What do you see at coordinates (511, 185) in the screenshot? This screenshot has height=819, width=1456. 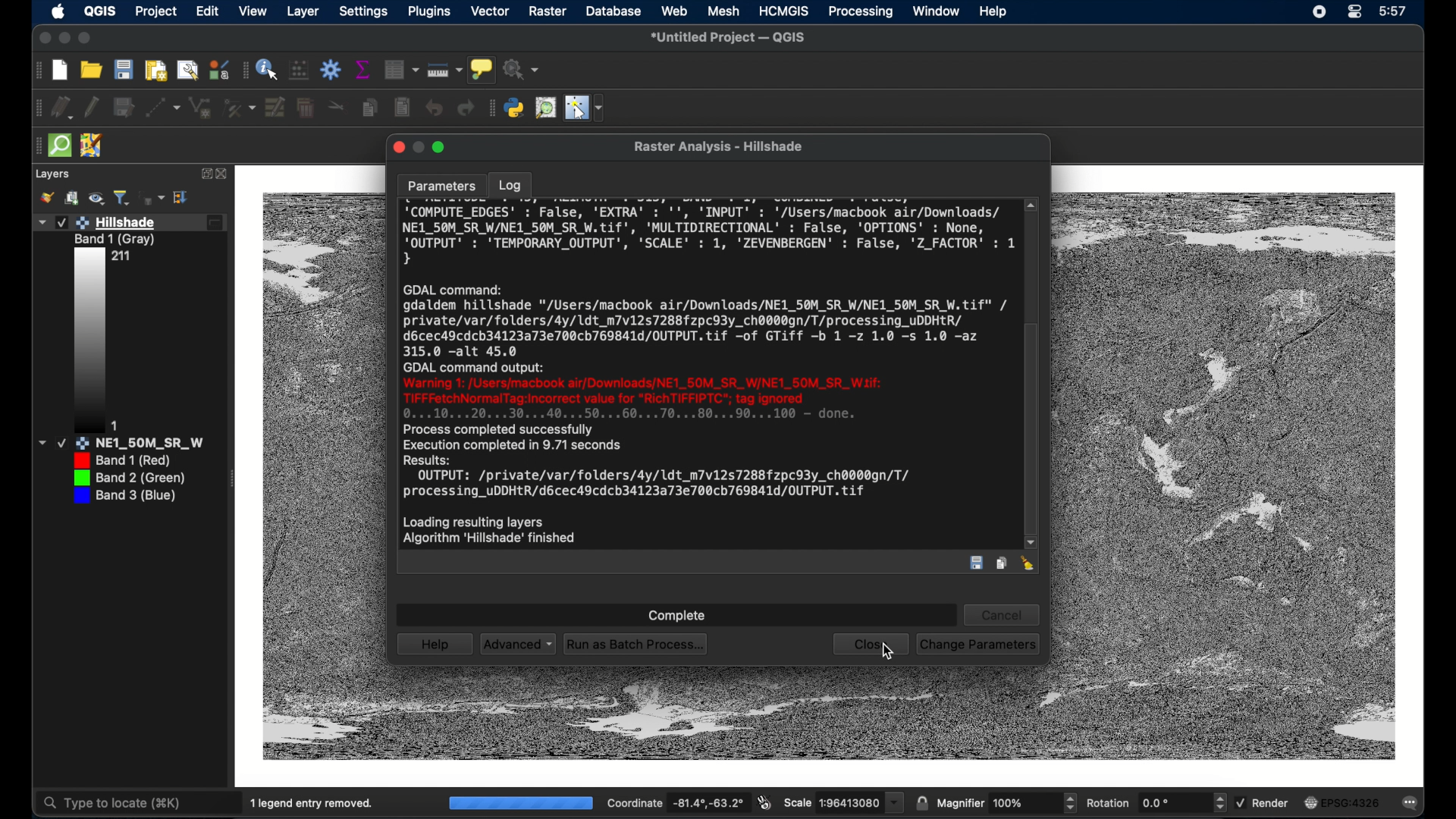 I see `log` at bounding box center [511, 185].